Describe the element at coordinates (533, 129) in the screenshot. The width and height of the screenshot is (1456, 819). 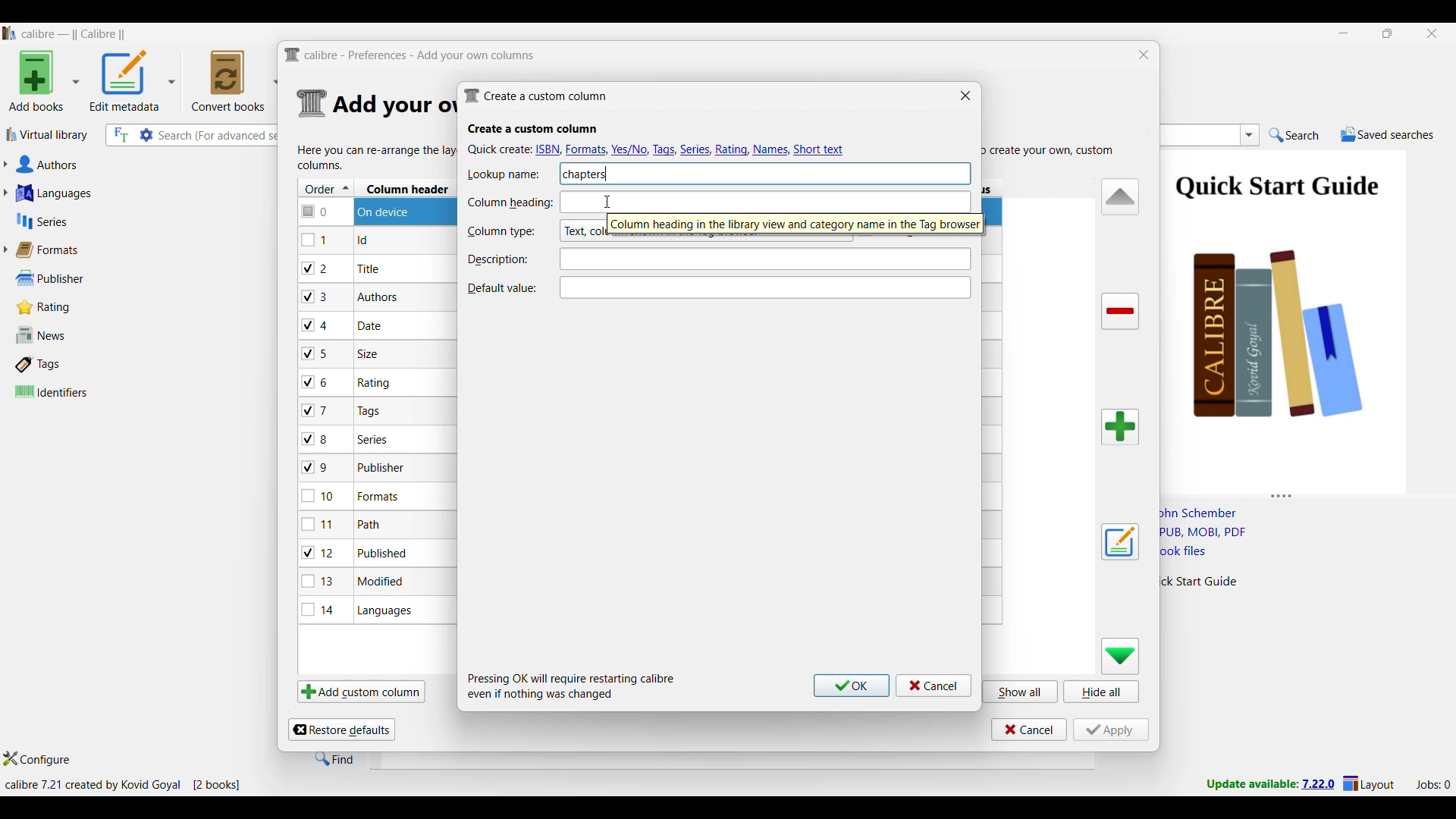
I see `Section title` at that location.